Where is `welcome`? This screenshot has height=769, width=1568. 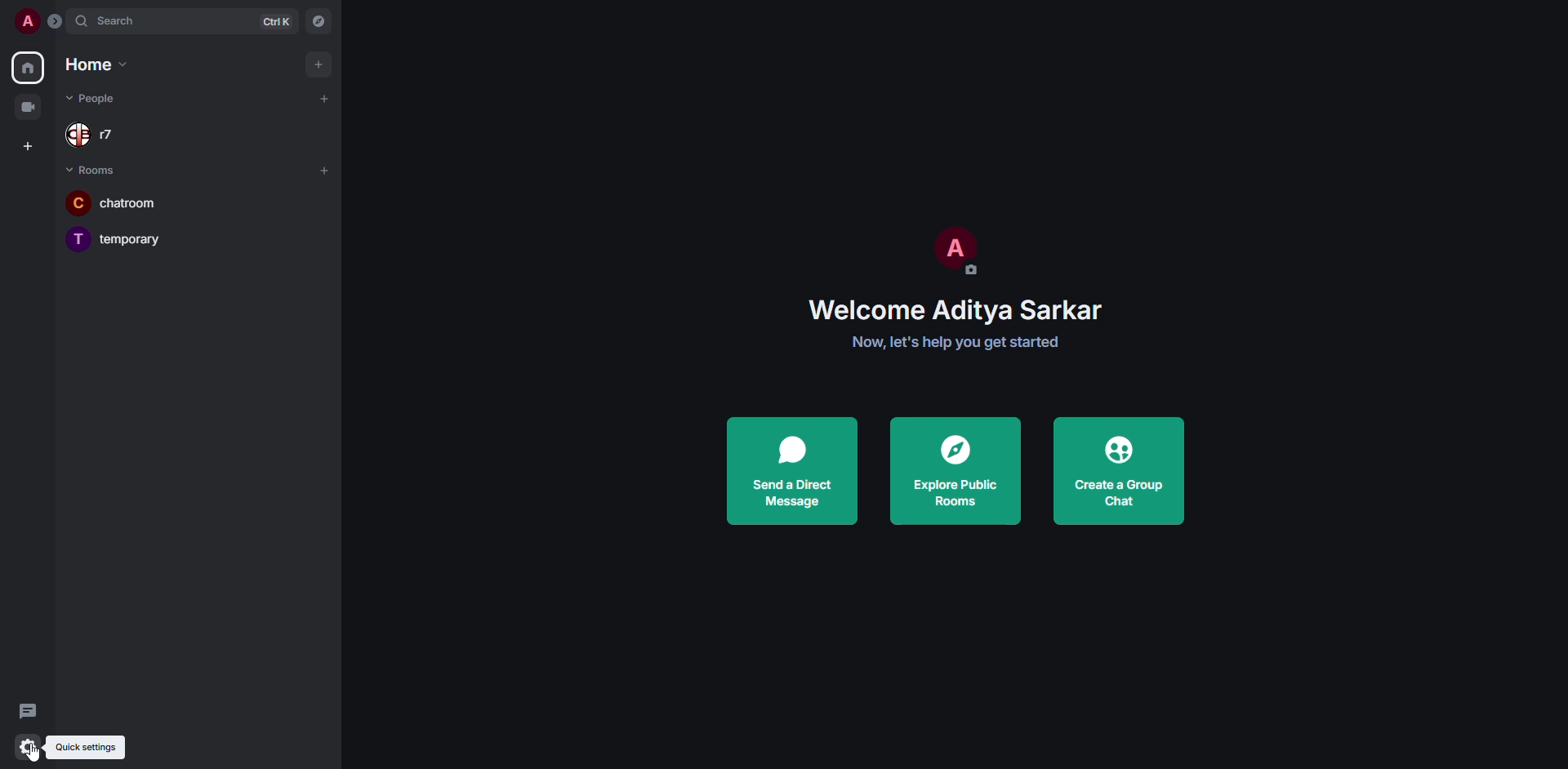 welcome is located at coordinates (959, 311).